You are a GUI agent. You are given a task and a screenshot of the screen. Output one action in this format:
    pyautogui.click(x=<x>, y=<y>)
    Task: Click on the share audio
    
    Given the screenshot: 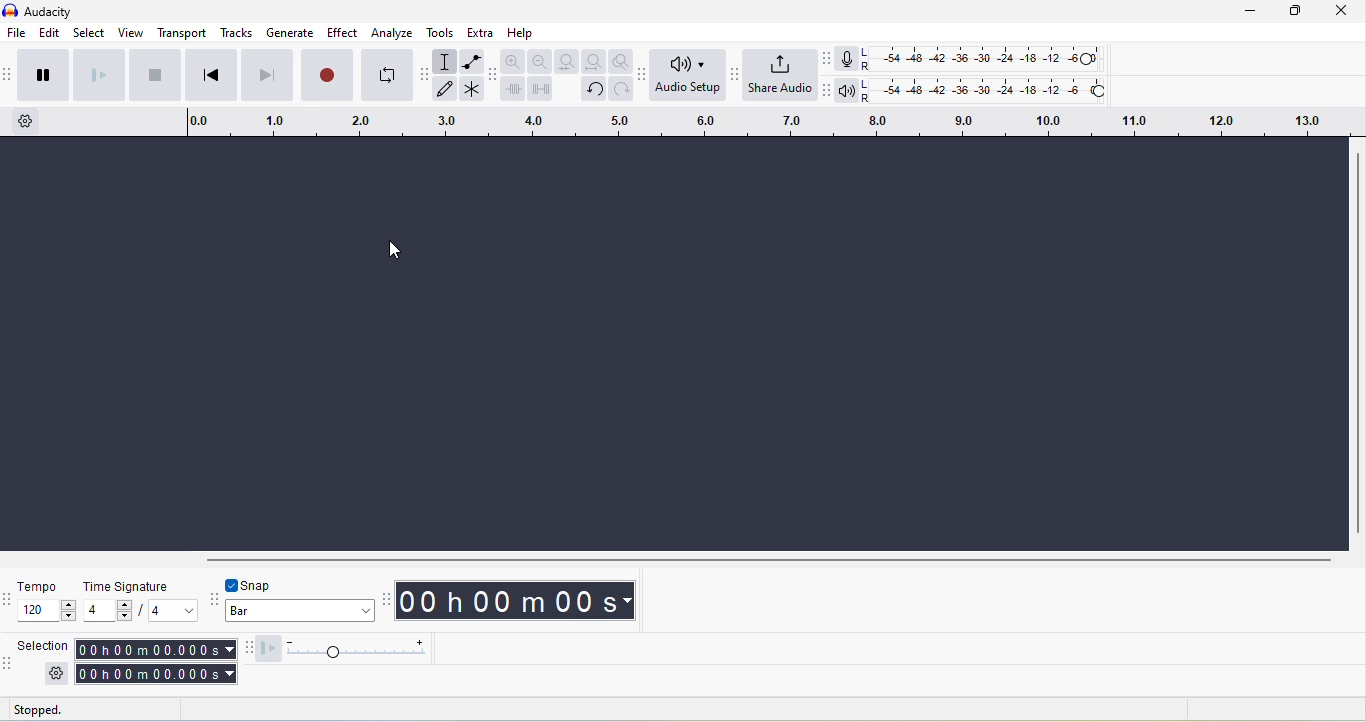 What is the action you would take?
    pyautogui.click(x=780, y=76)
    